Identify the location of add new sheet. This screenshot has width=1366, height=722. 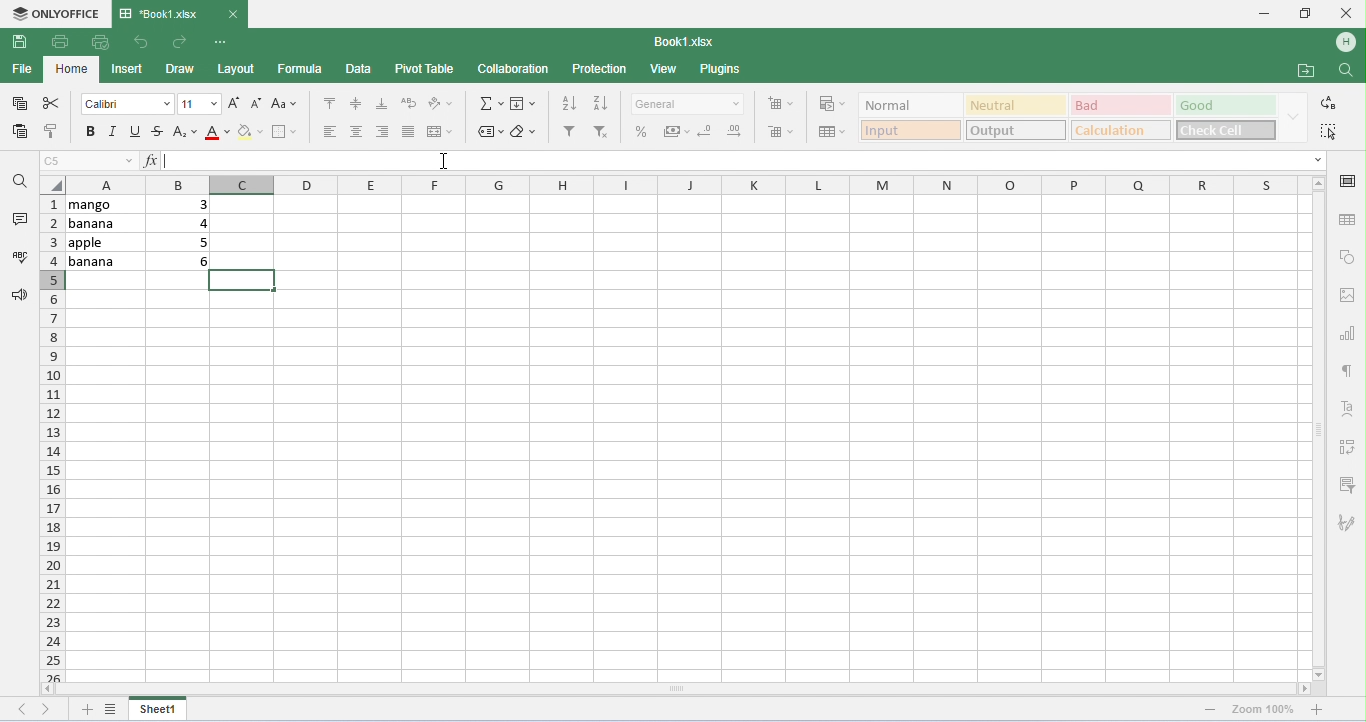
(85, 709).